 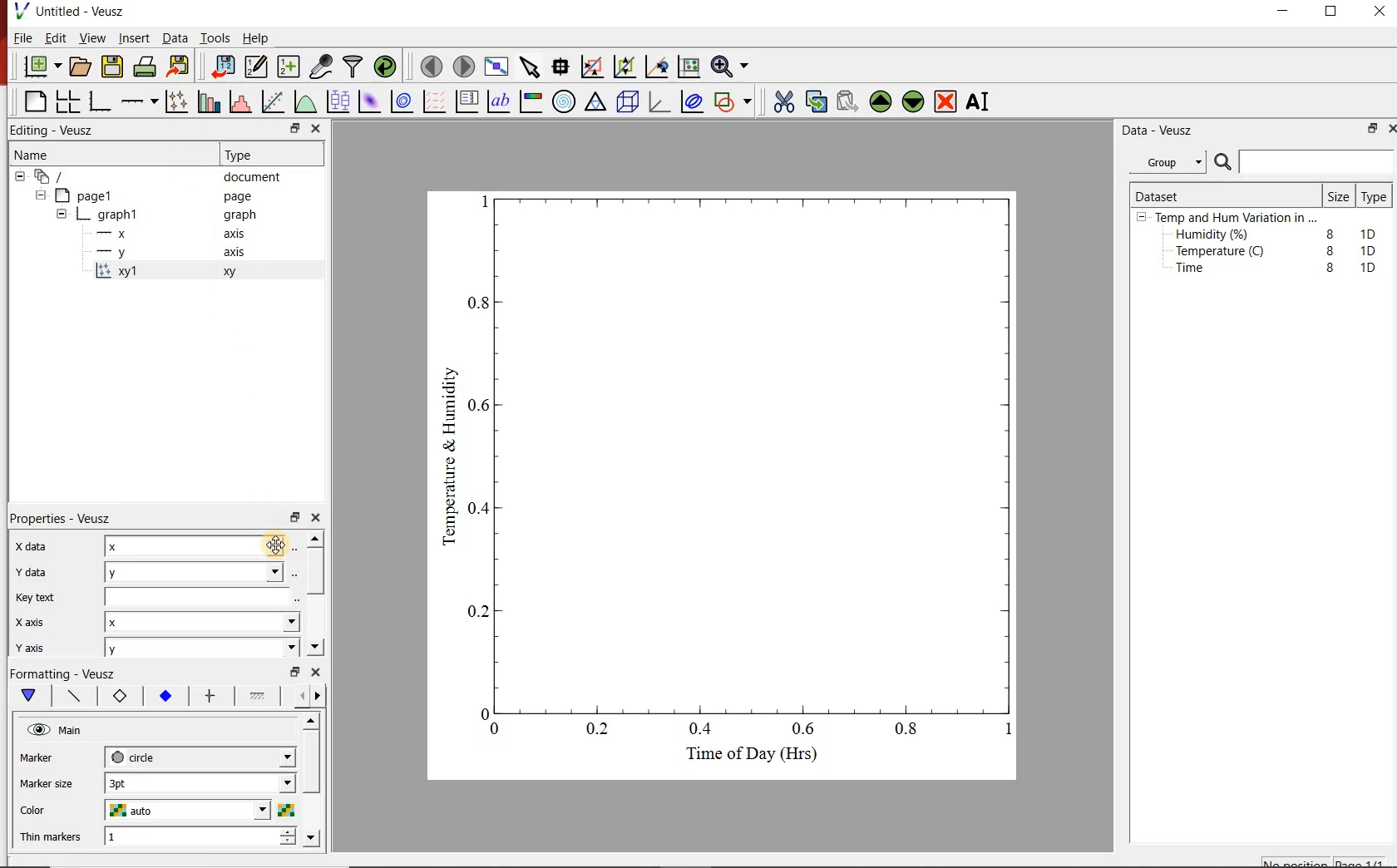 What do you see at coordinates (146, 69) in the screenshot?
I see `print the document` at bounding box center [146, 69].